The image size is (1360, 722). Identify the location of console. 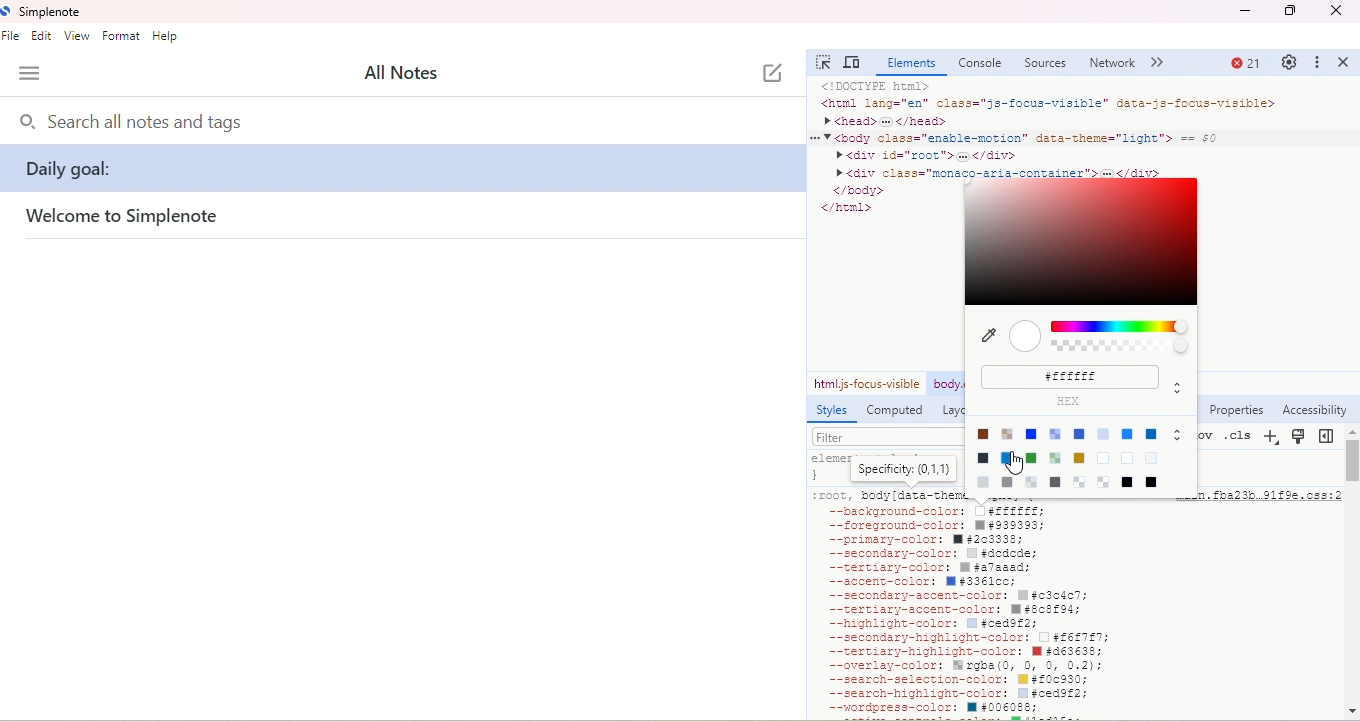
(980, 63).